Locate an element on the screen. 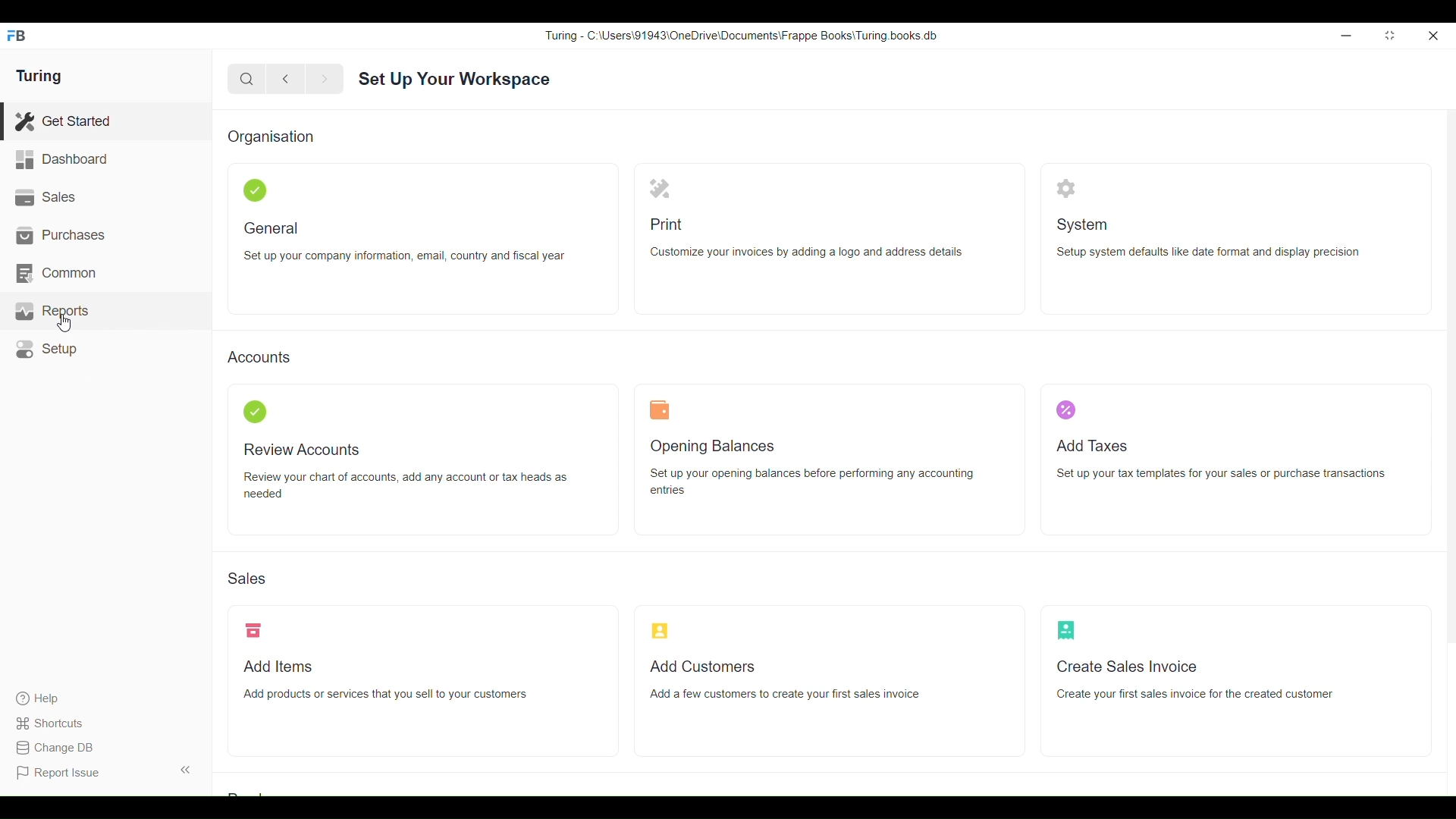 The image size is (1456, 819). Review Accounts icon is located at coordinates (255, 411).